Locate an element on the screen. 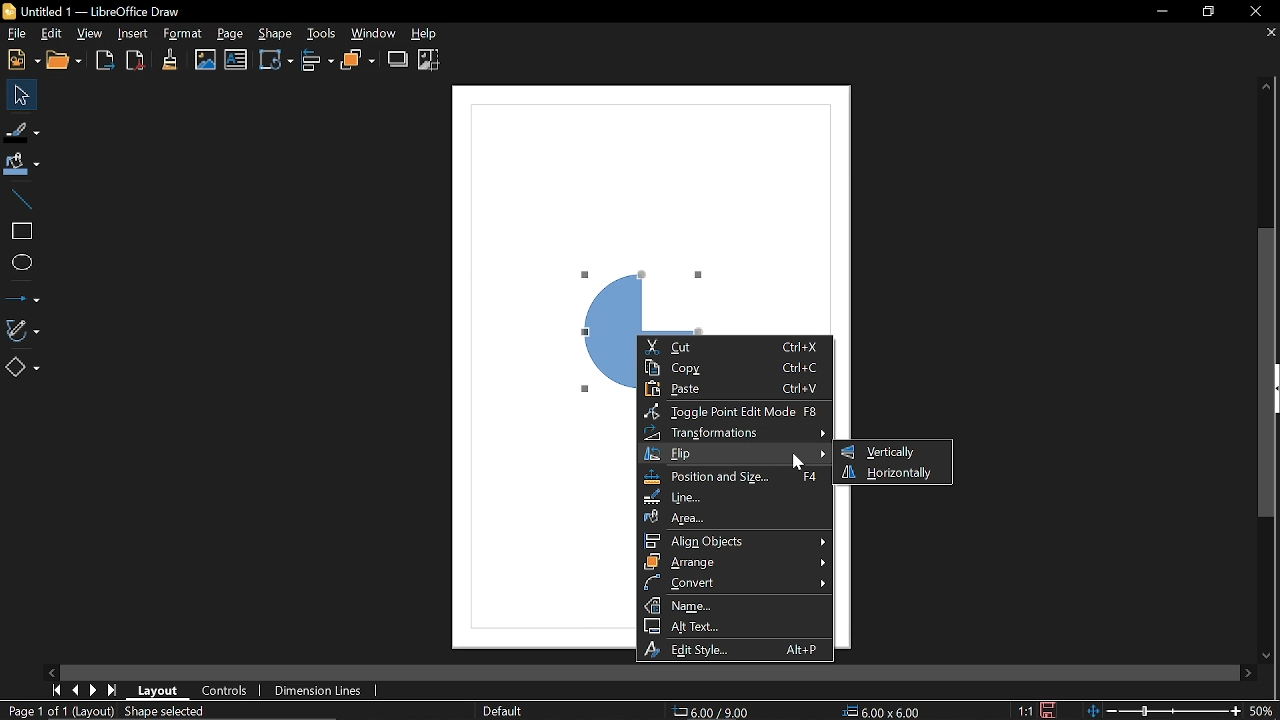  Curves and polygons is located at coordinates (22, 328).